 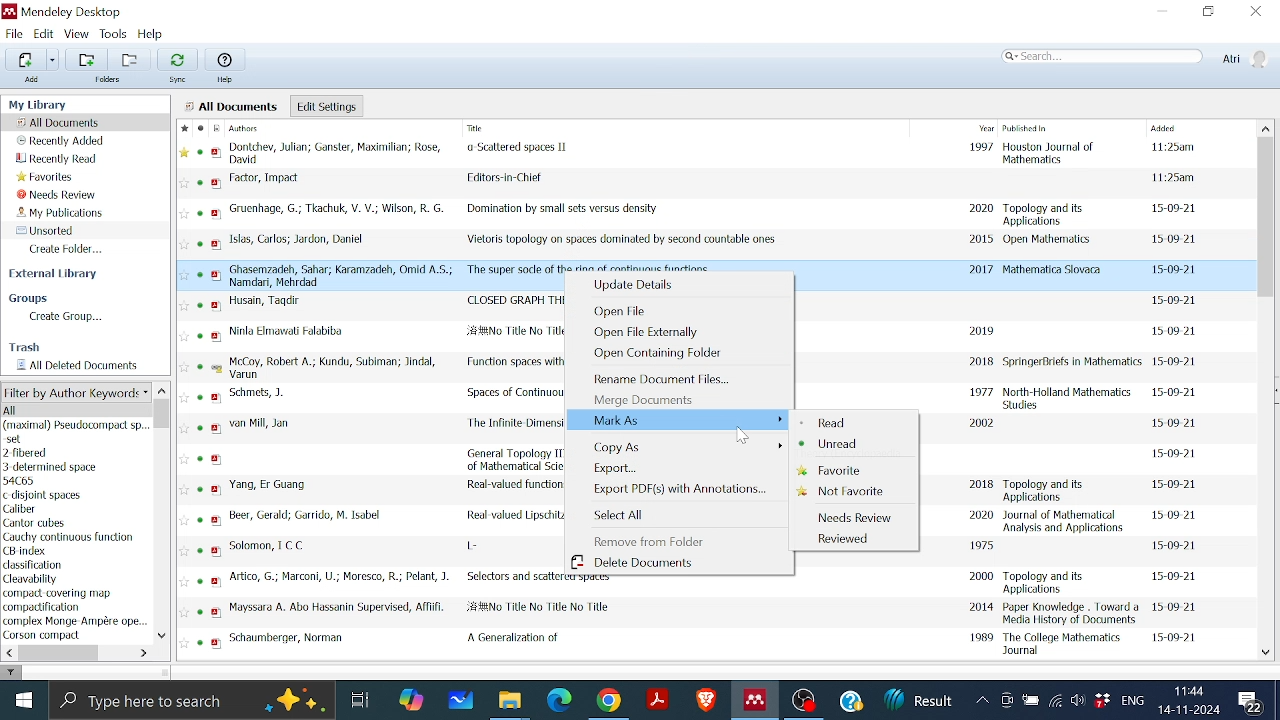 I want to click on Filter option, so click(x=75, y=393).